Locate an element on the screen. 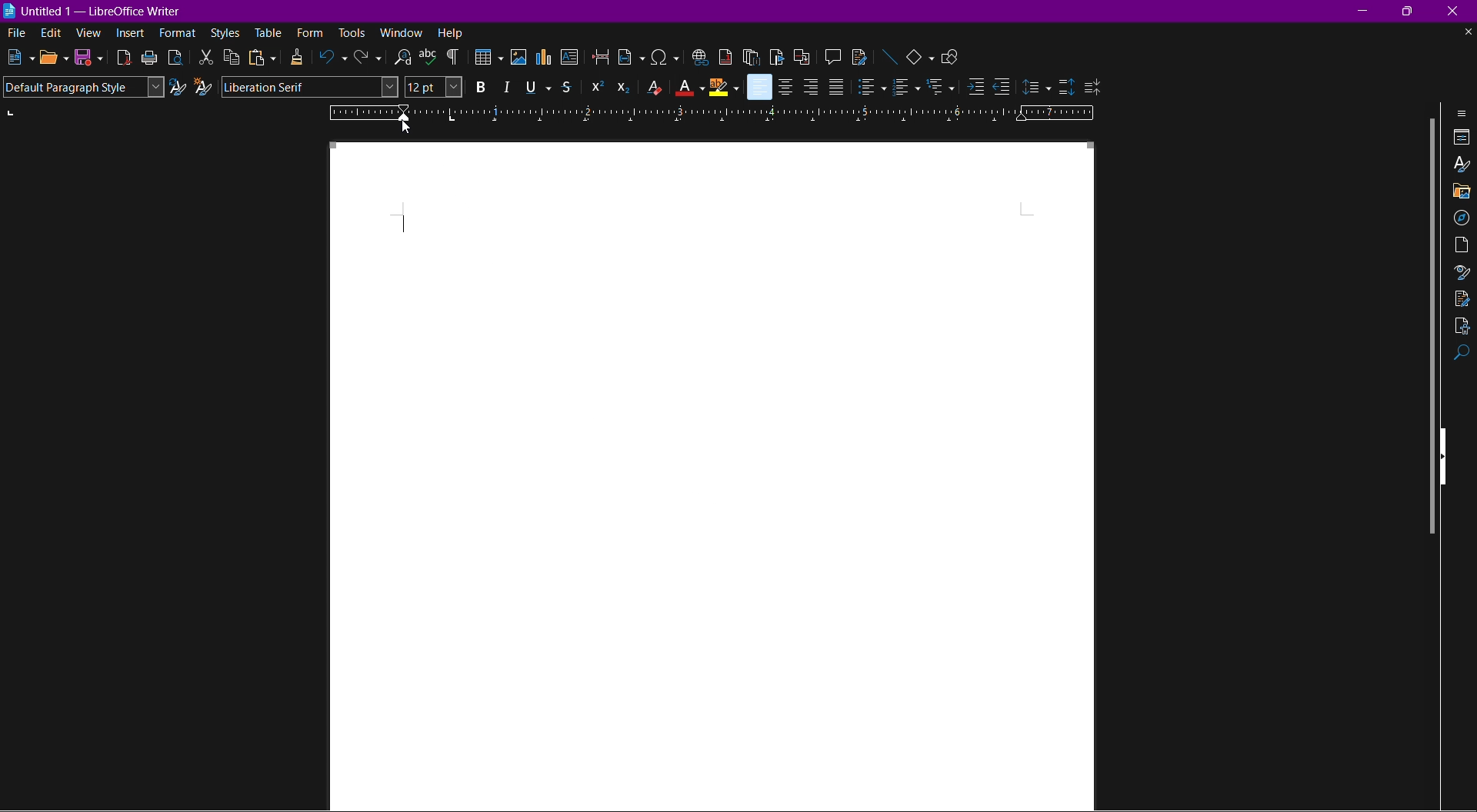  Select Outline Format is located at coordinates (940, 88).